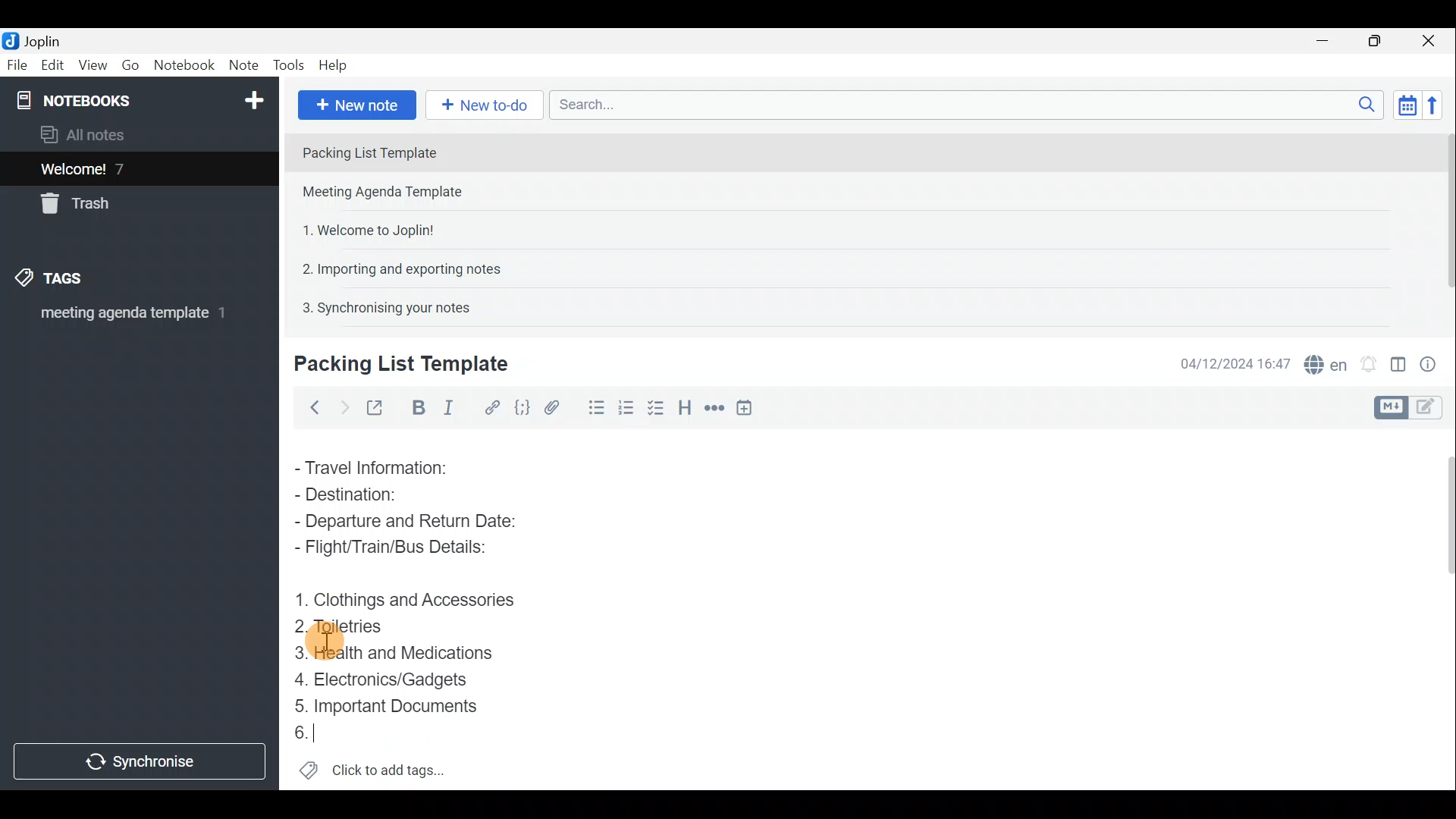  Describe the element at coordinates (392, 365) in the screenshot. I see `Creating new note` at that location.